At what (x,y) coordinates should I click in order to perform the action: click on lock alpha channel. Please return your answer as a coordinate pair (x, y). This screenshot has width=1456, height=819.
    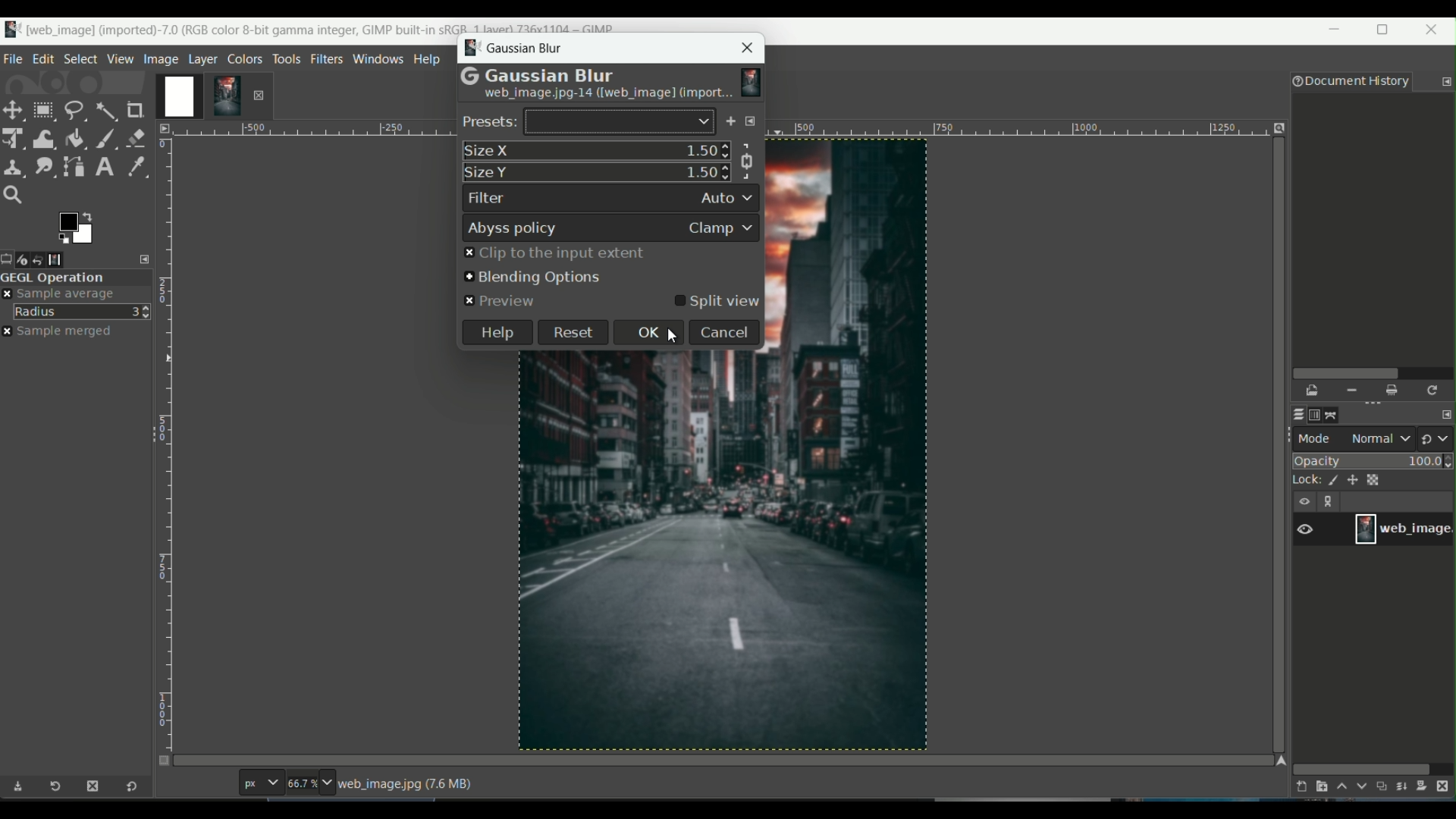
    Looking at the image, I should click on (1376, 479).